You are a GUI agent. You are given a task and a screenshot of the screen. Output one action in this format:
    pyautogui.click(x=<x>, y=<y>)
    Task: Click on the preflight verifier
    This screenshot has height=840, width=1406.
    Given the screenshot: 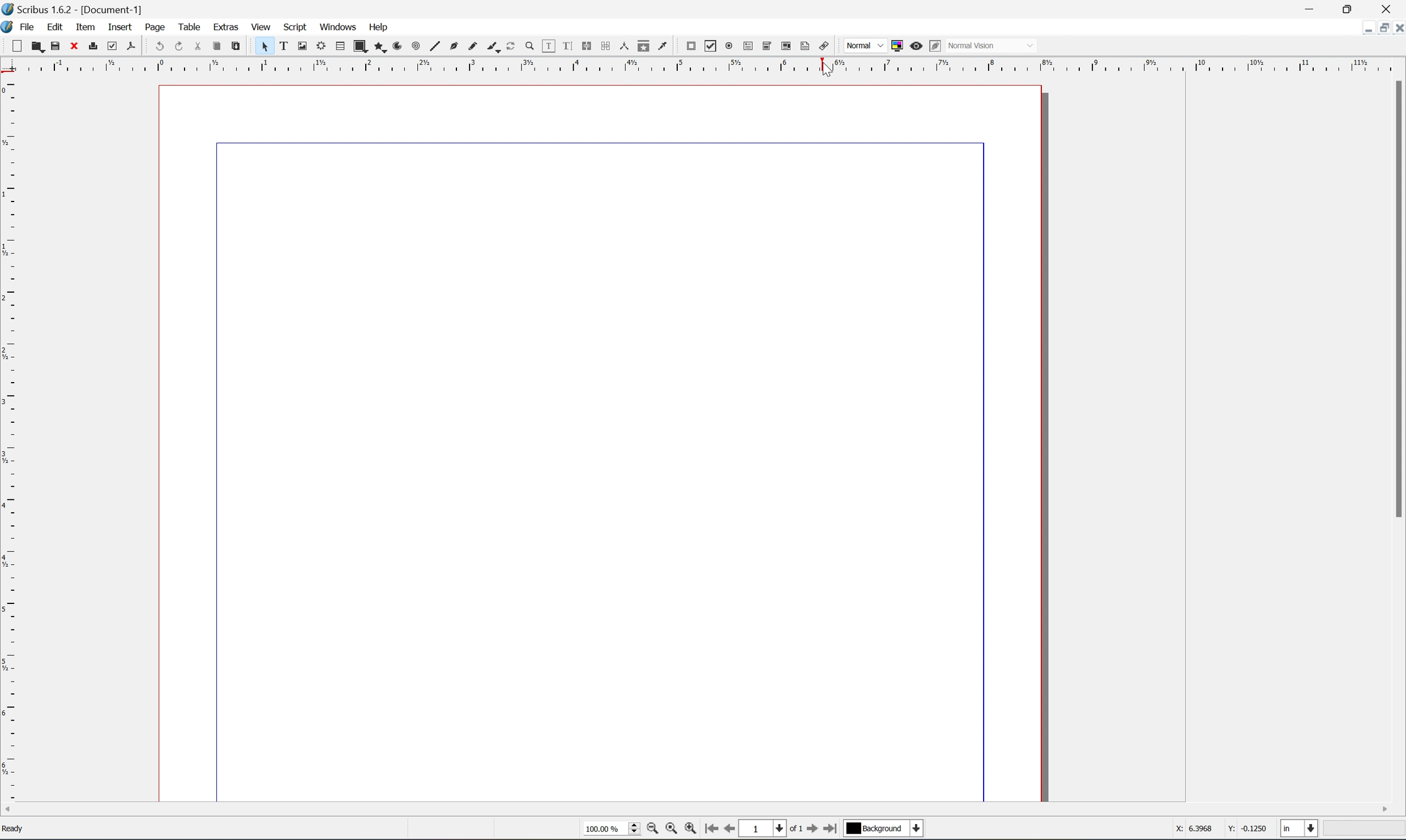 What is the action you would take?
    pyautogui.click(x=112, y=46)
    